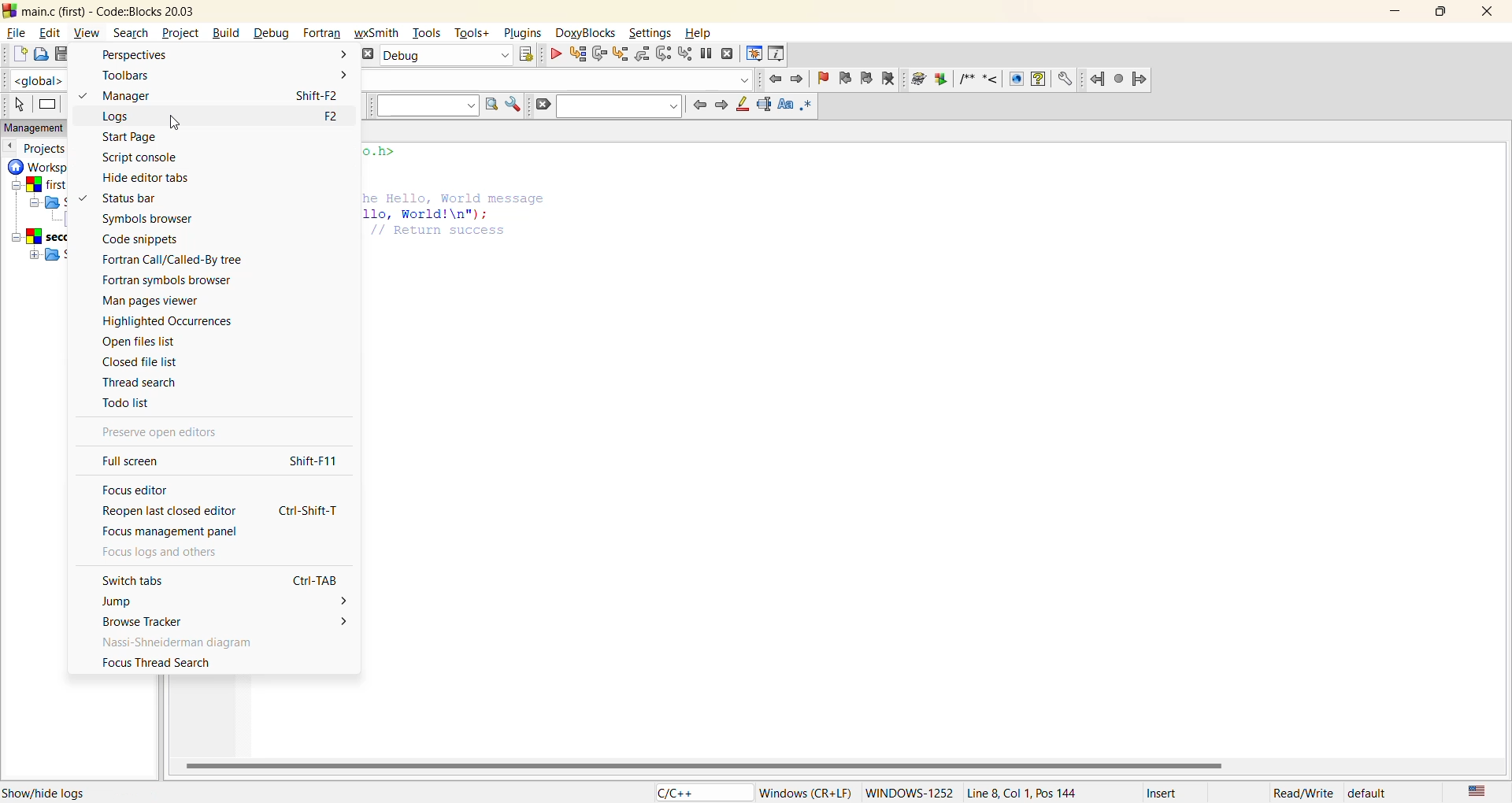  What do you see at coordinates (1021, 793) in the screenshot?
I see `Line 8, Col 1, Pos 144` at bounding box center [1021, 793].